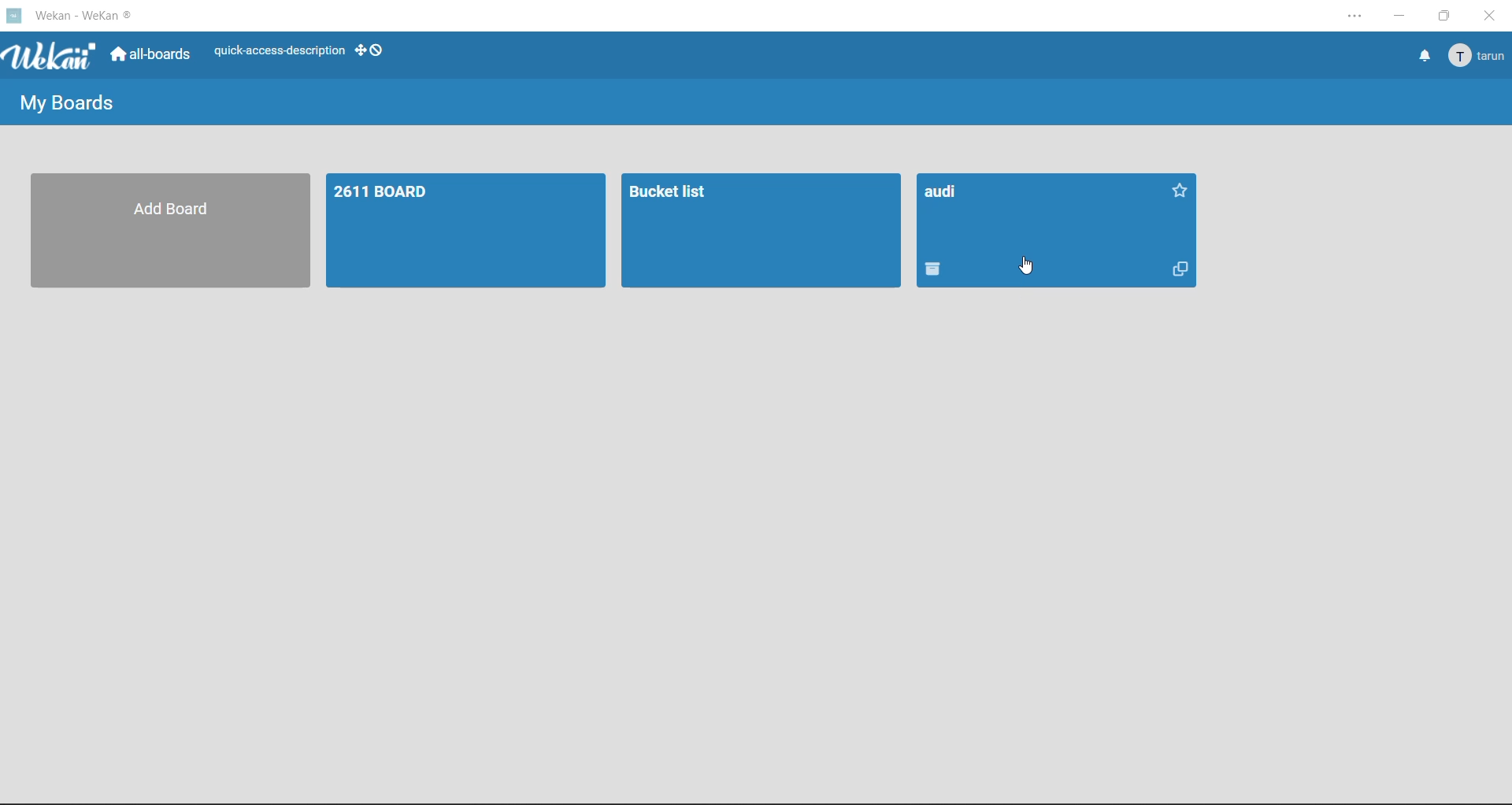 This screenshot has width=1512, height=805. What do you see at coordinates (49, 57) in the screenshot?
I see `app logo WeKan` at bounding box center [49, 57].